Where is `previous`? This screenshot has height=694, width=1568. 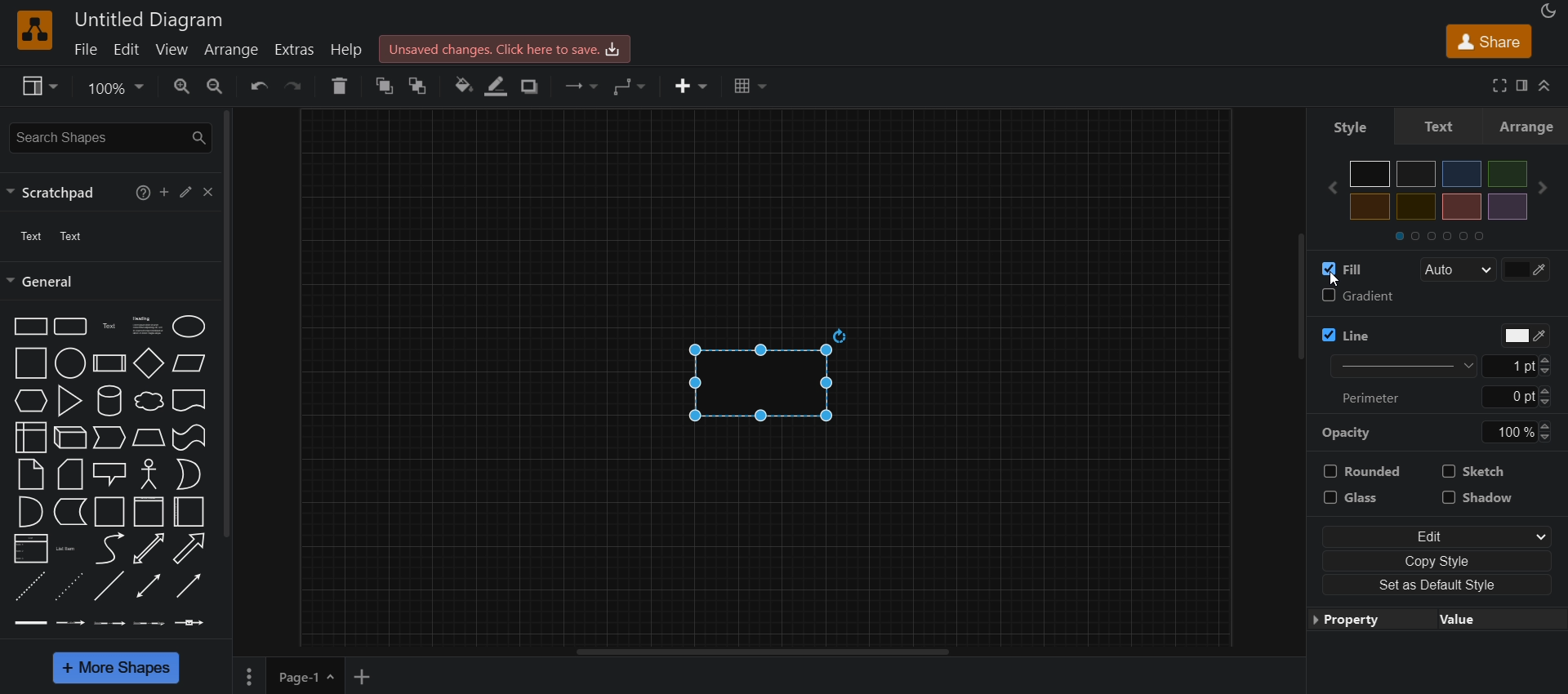
previous is located at coordinates (1333, 187).